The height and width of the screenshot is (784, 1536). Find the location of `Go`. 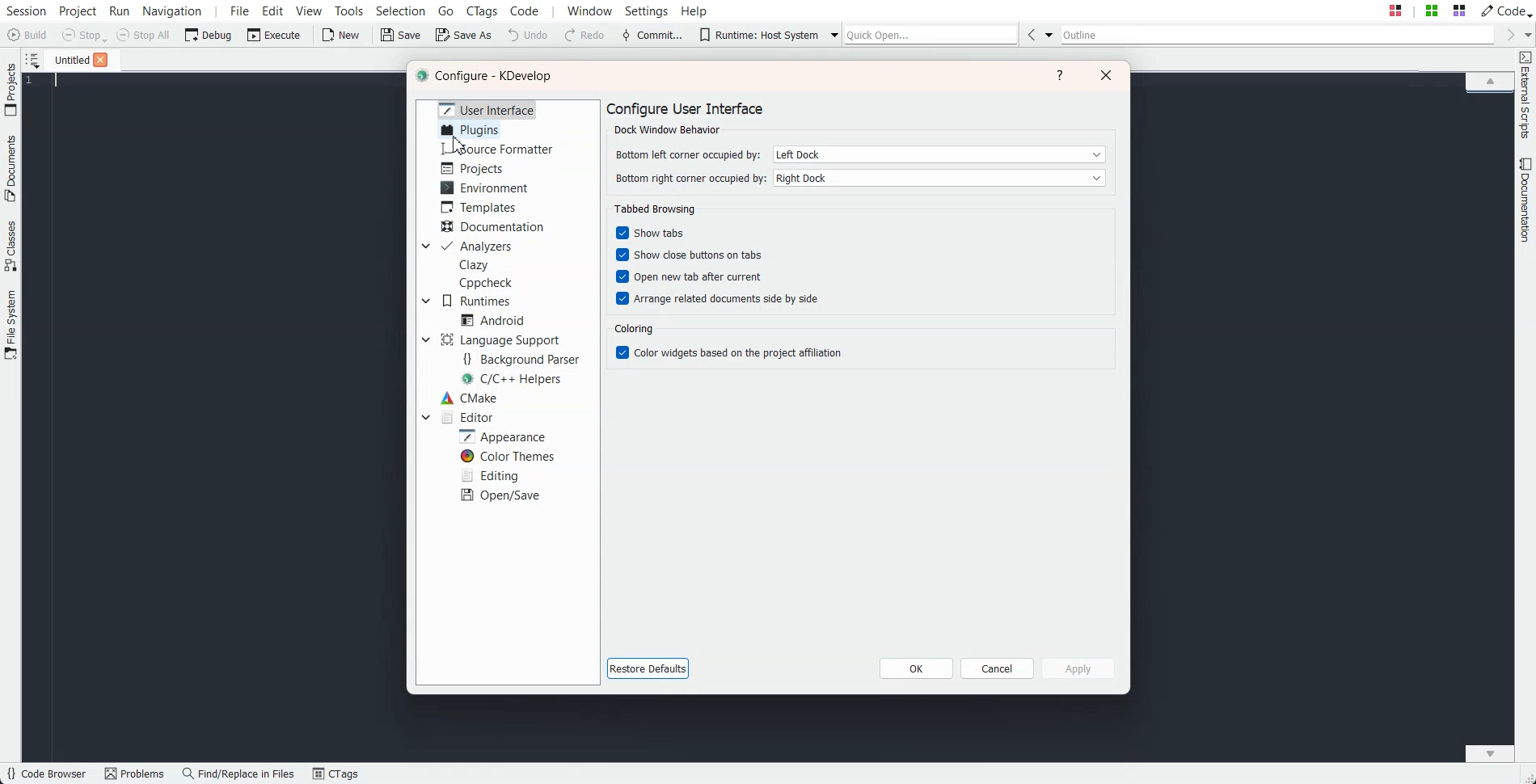

Go is located at coordinates (448, 10).